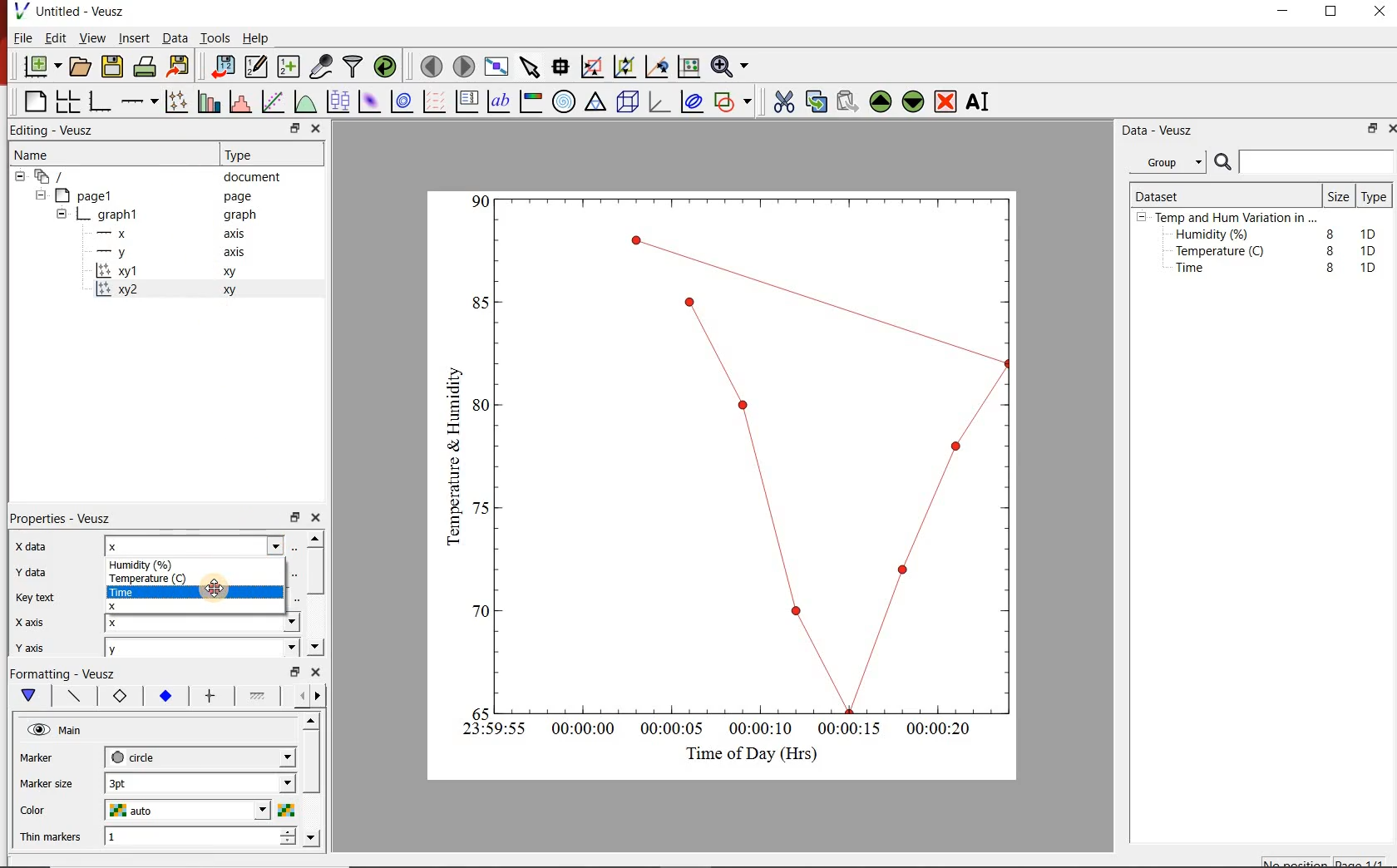  Describe the element at coordinates (259, 697) in the screenshot. I see `fill 1` at that location.